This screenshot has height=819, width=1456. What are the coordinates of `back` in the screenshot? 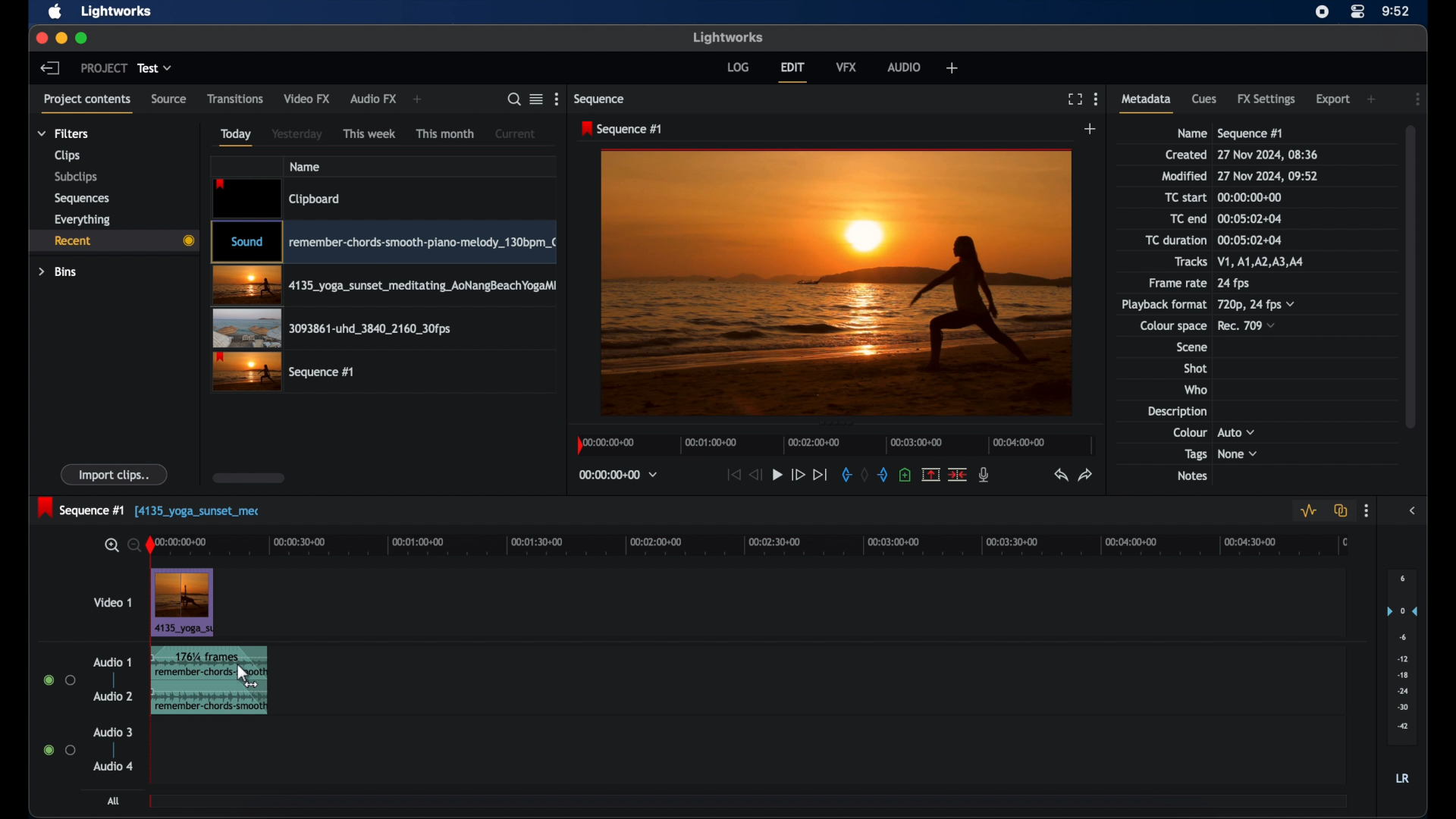 It's located at (50, 68).